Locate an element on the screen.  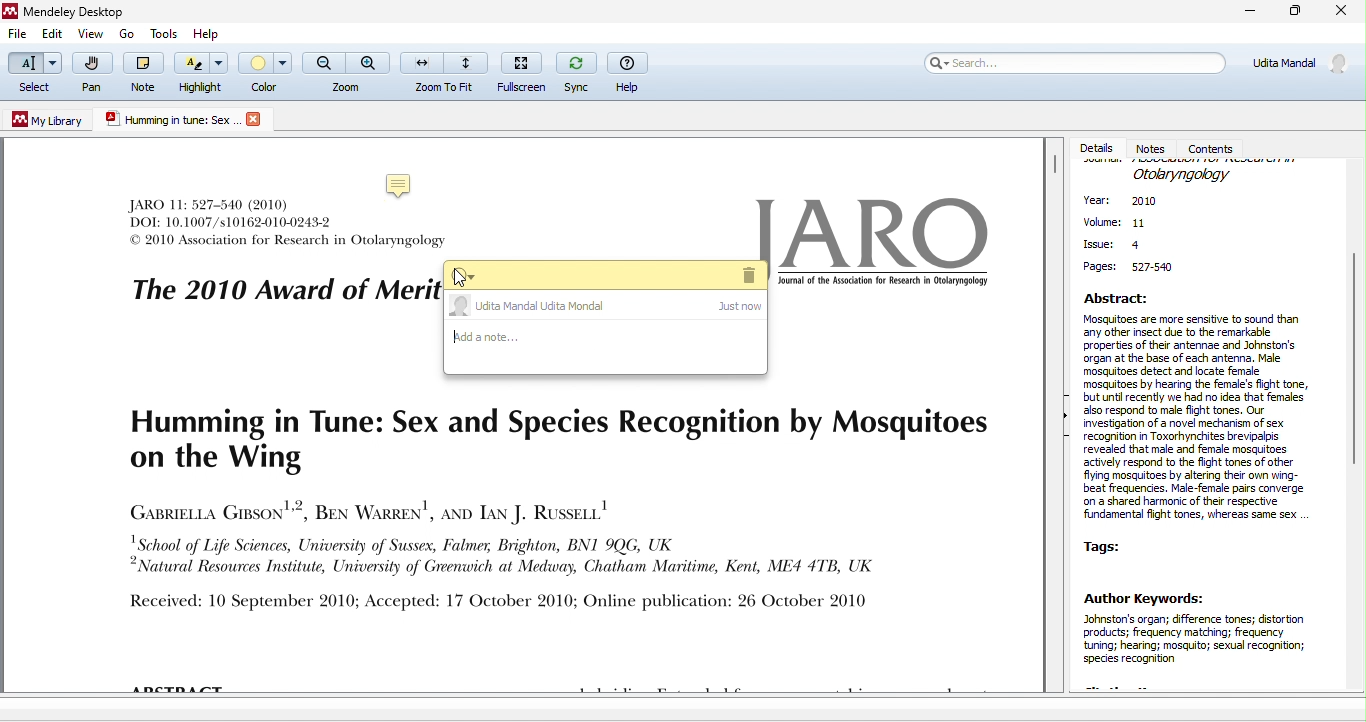
zoom to fit is located at coordinates (445, 71).